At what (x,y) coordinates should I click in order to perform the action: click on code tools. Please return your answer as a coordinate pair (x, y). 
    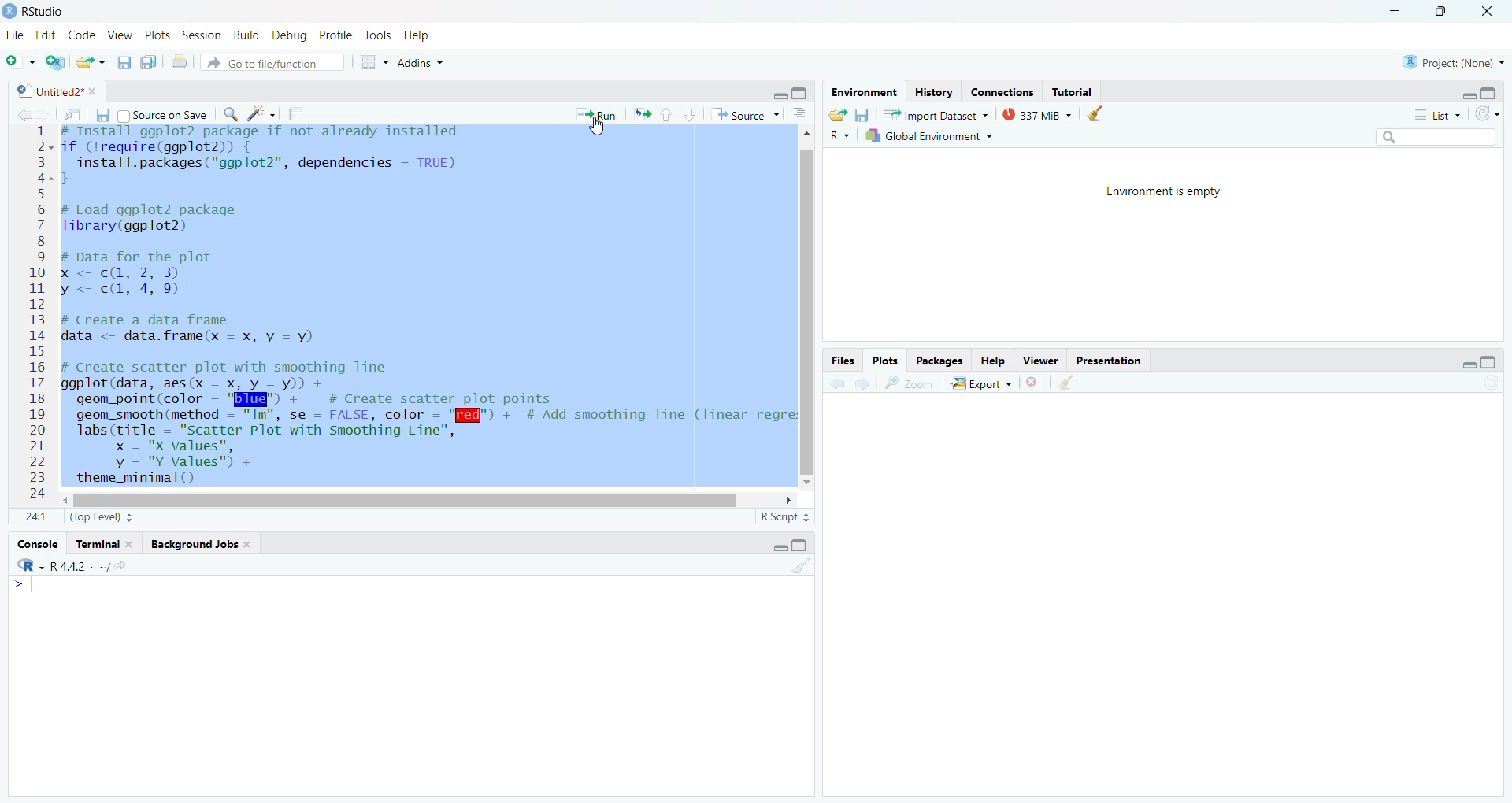
    Looking at the image, I should click on (261, 113).